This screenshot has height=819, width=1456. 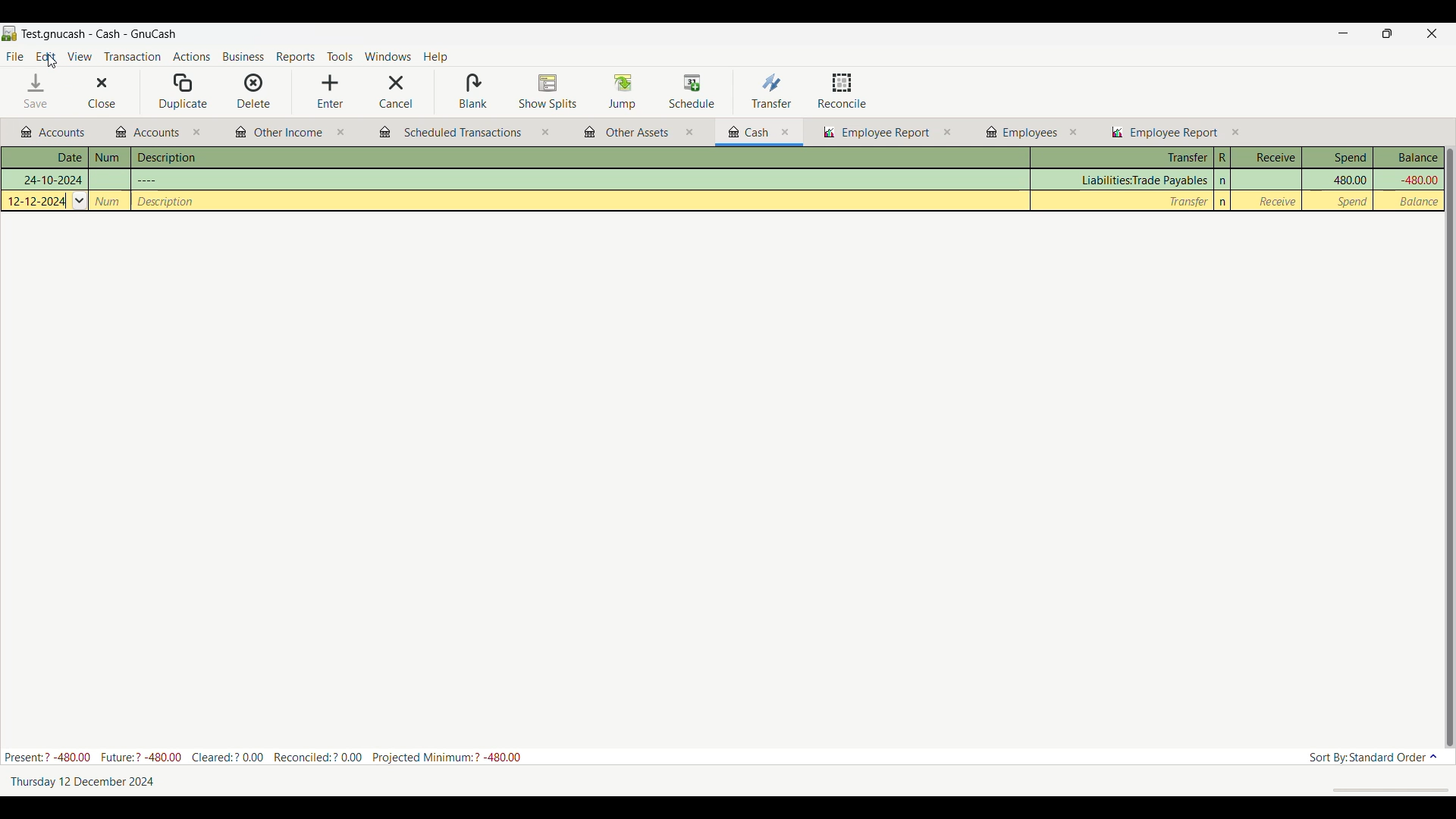 I want to click on View menu, so click(x=80, y=56).